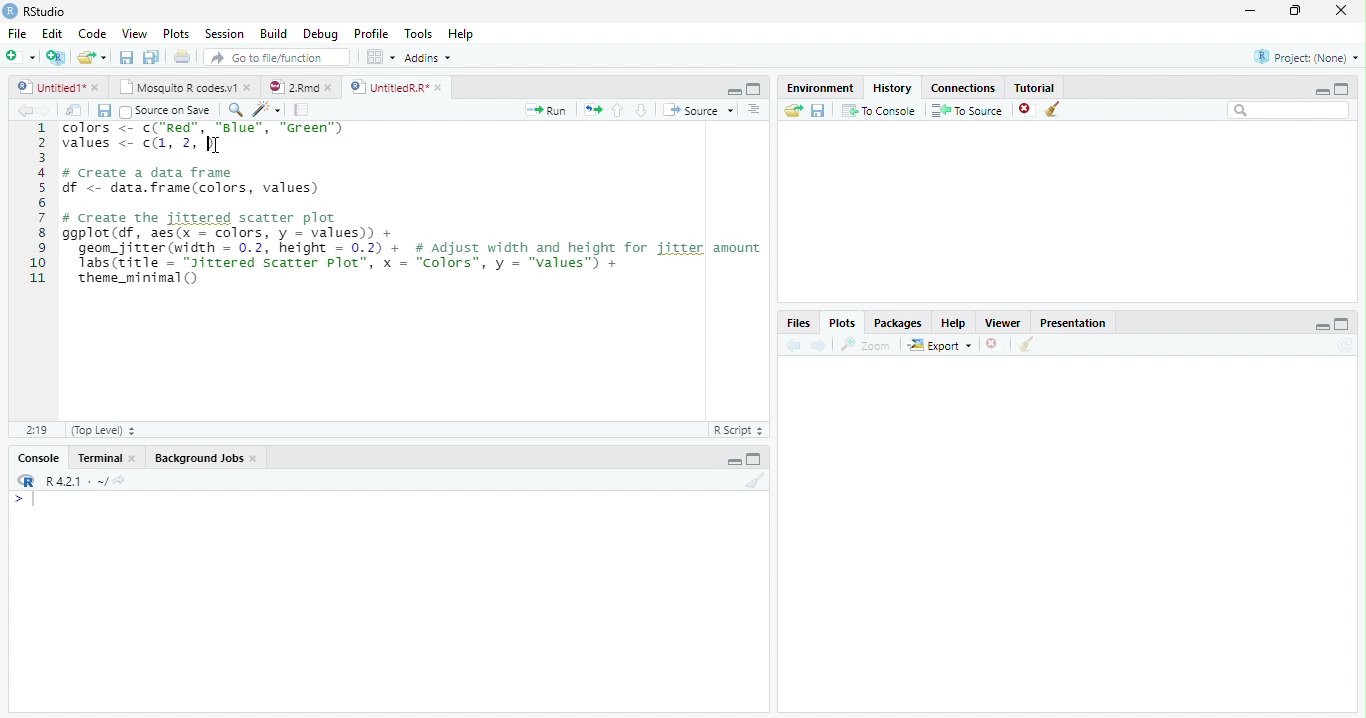  What do you see at coordinates (733, 462) in the screenshot?
I see `Minimize` at bounding box center [733, 462].